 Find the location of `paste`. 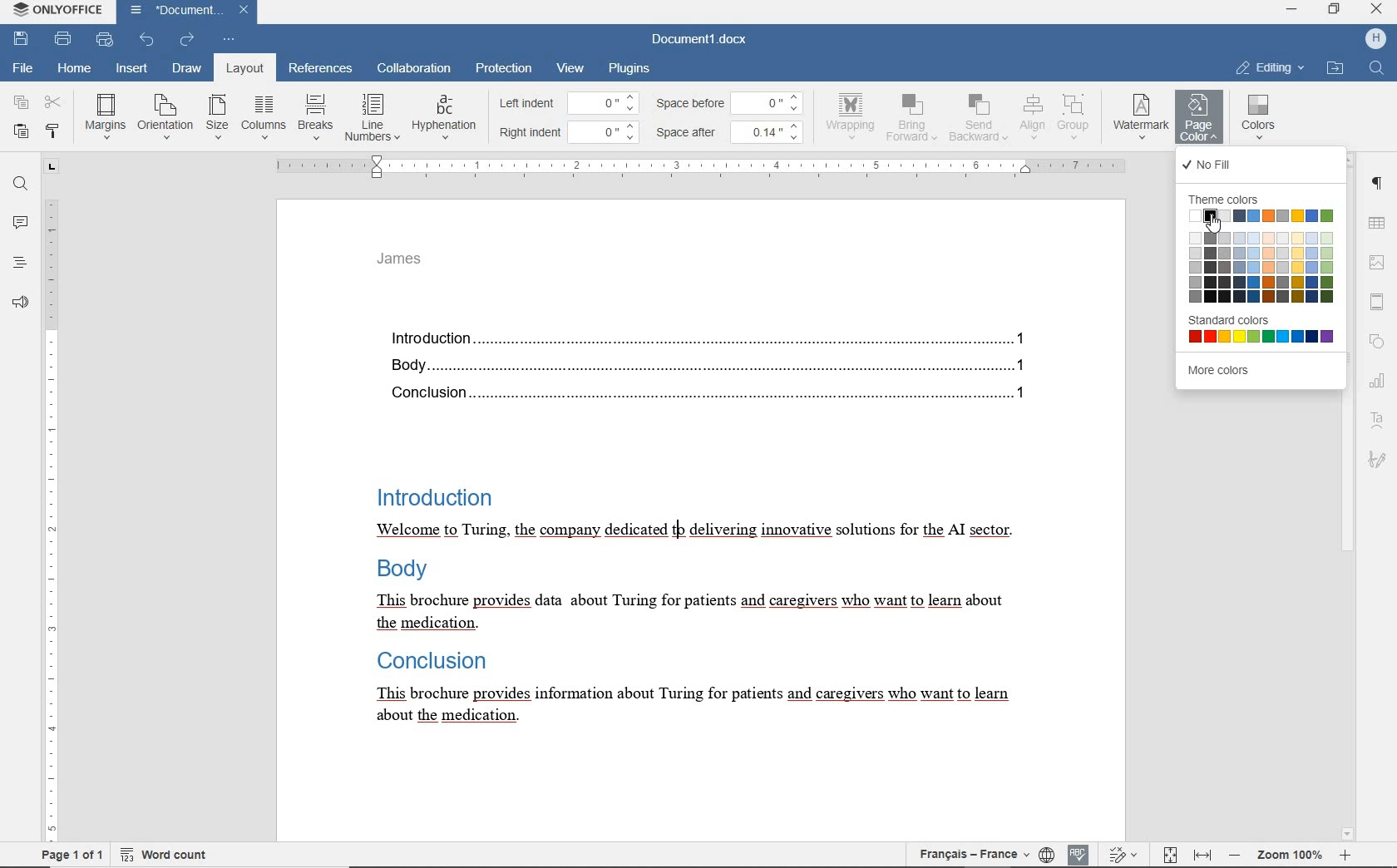

paste is located at coordinates (19, 131).